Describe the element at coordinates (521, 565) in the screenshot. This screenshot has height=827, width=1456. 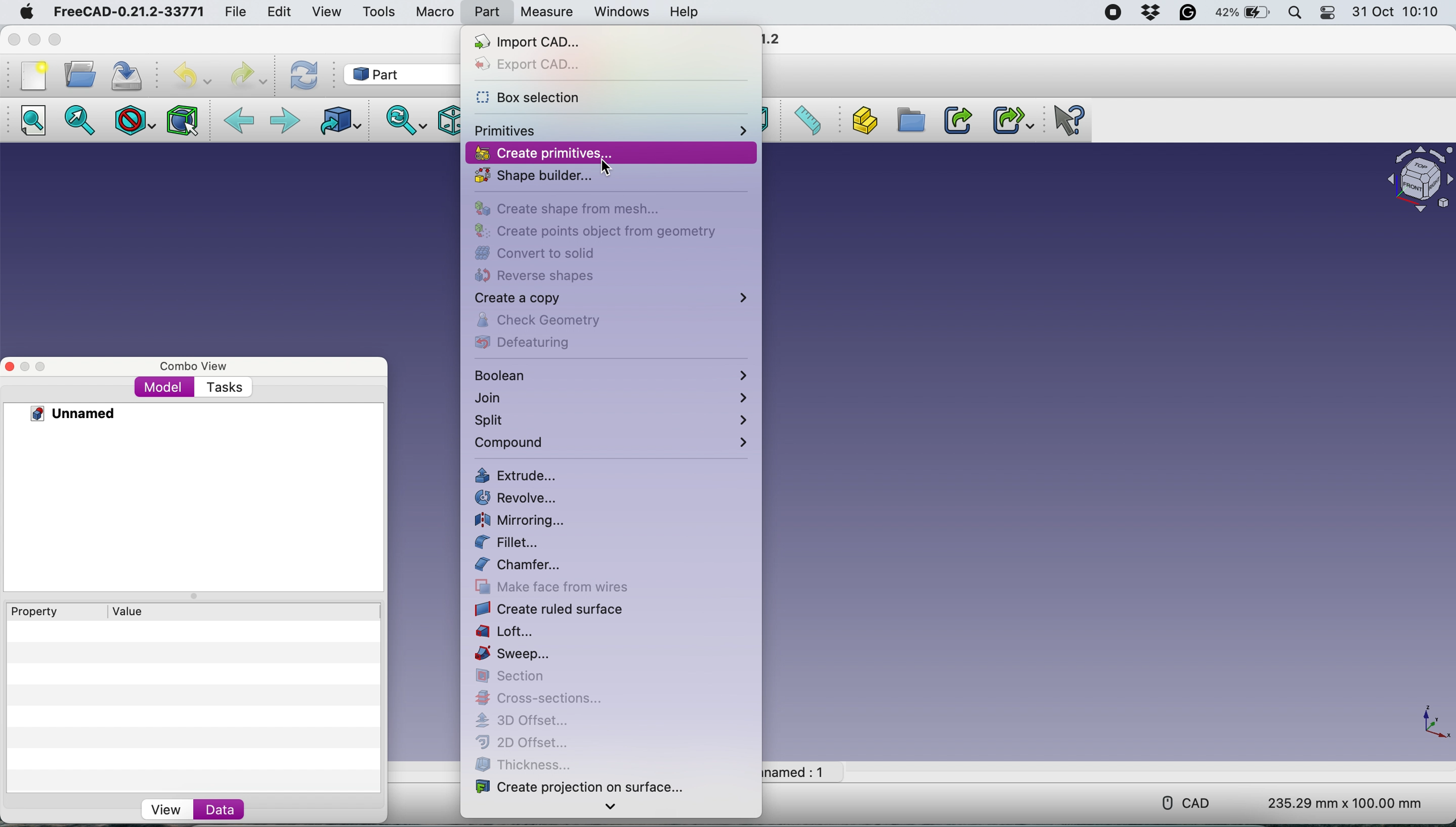
I see `chamfer` at that location.